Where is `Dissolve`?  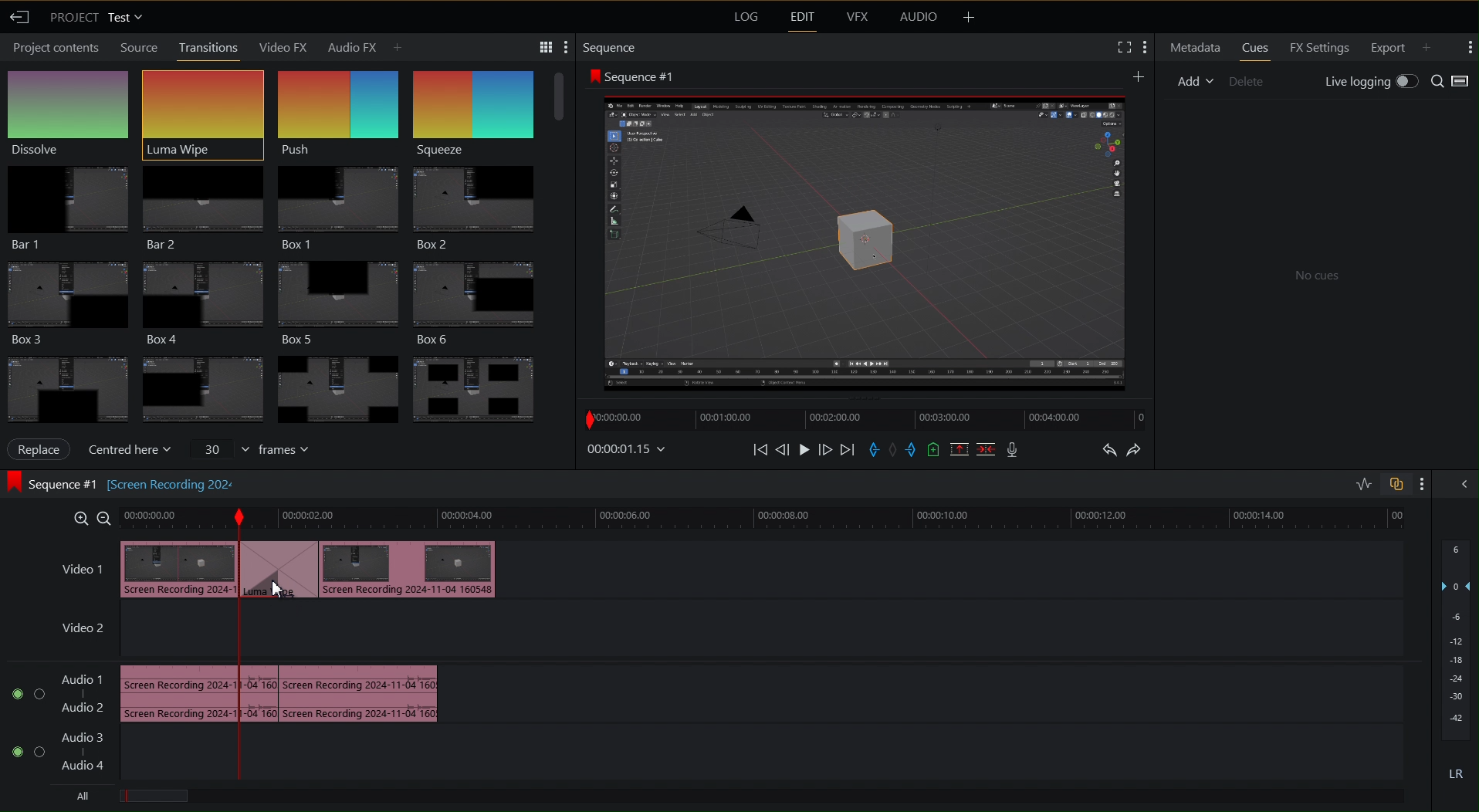
Dissolve is located at coordinates (72, 110).